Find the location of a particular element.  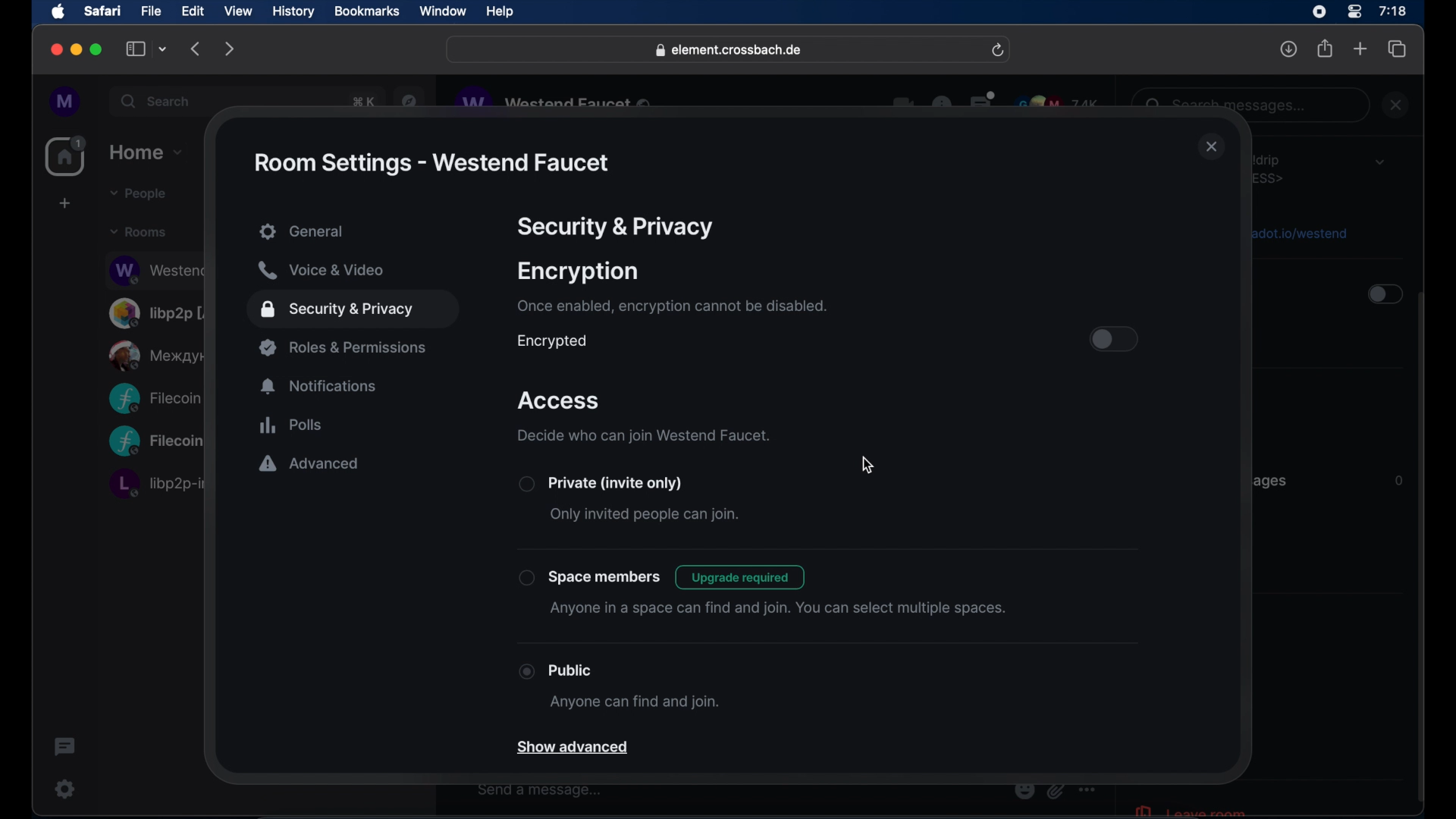

once enables, encryption cannot be disabled is located at coordinates (670, 306).